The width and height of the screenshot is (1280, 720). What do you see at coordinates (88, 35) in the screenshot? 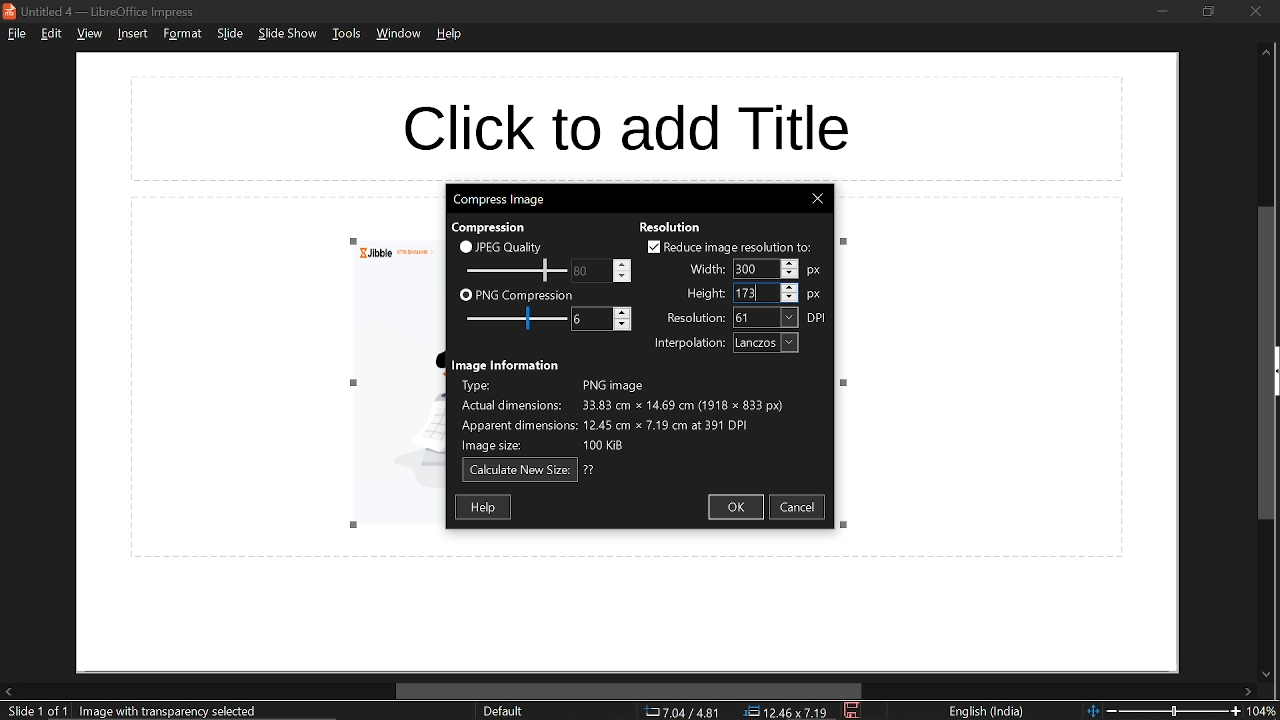
I see `view` at bounding box center [88, 35].